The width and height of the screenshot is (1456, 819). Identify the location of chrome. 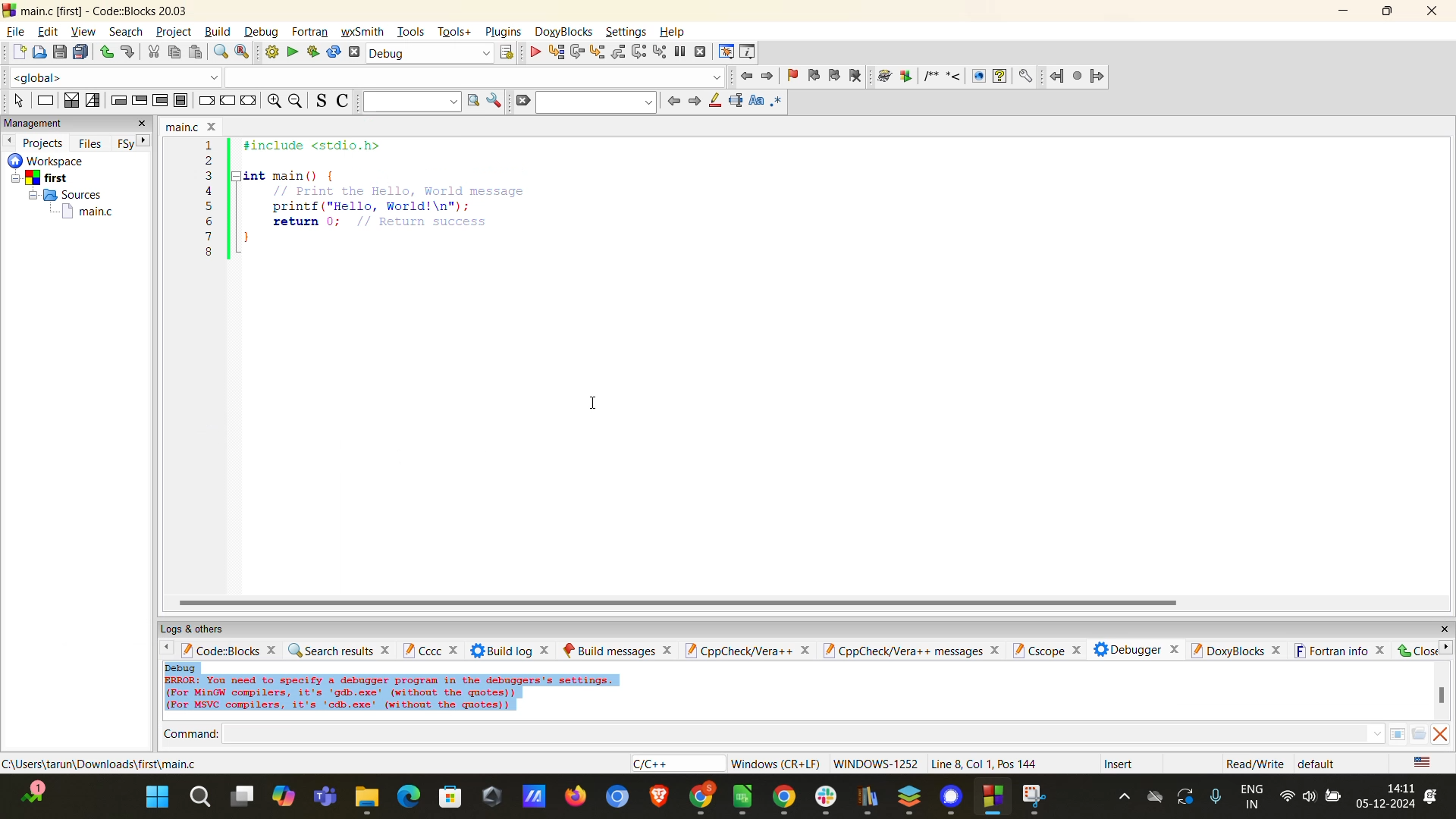
(706, 796).